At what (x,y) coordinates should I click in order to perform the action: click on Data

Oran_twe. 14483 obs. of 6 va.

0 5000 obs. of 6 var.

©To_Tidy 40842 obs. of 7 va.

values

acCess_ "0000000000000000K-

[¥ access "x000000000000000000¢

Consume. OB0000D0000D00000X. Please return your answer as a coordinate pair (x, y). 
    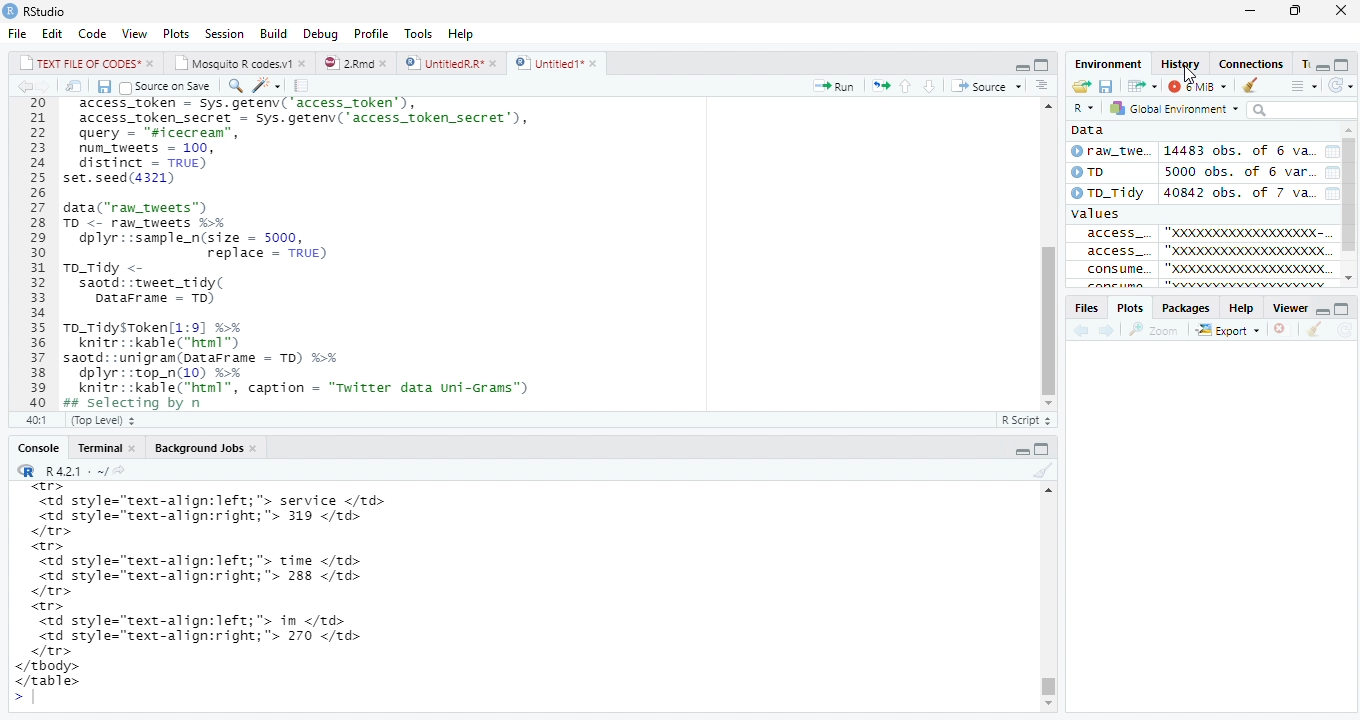
    Looking at the image, I should click on (1204, 205).